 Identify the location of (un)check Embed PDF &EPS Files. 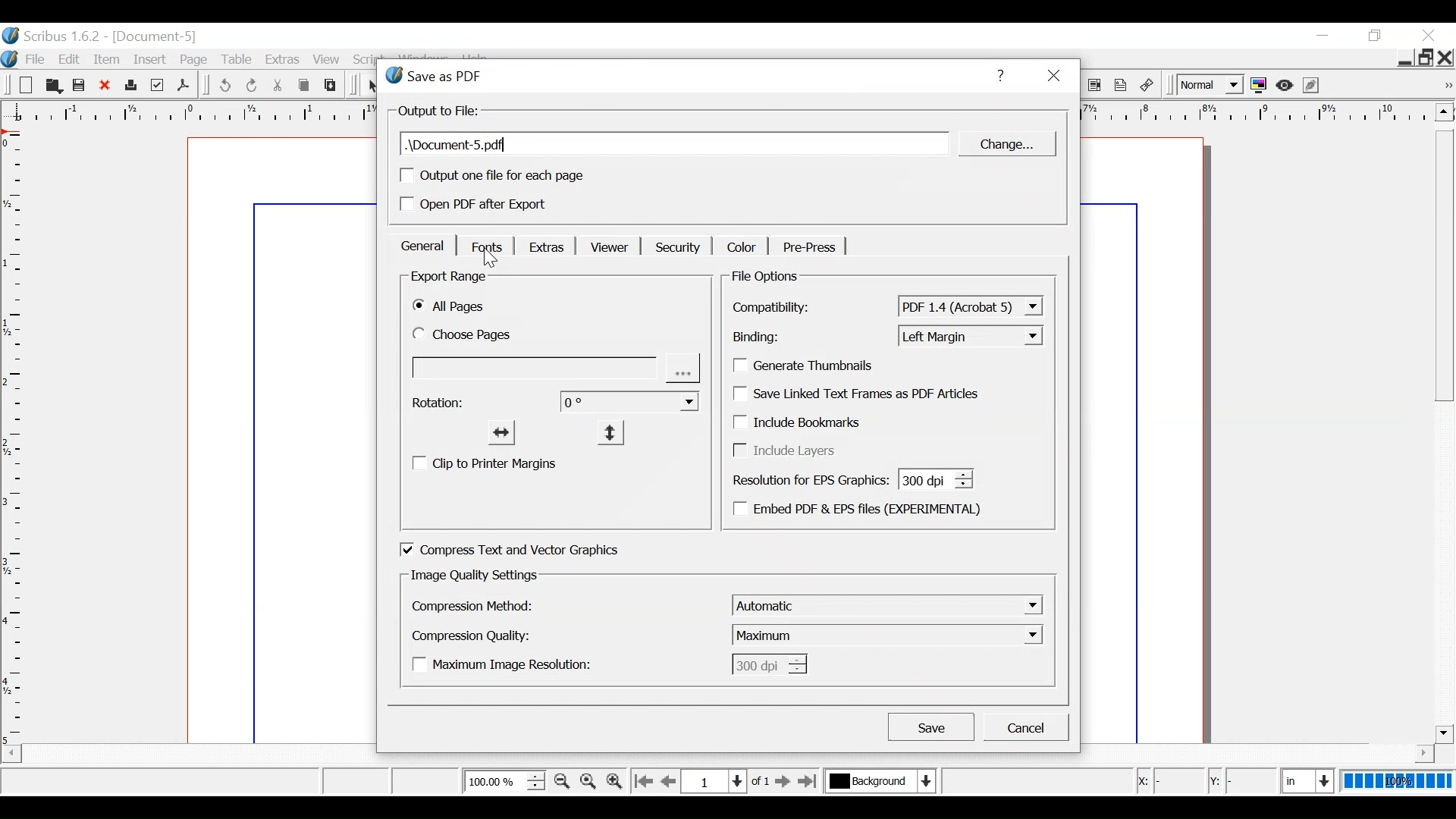
(861, 511).